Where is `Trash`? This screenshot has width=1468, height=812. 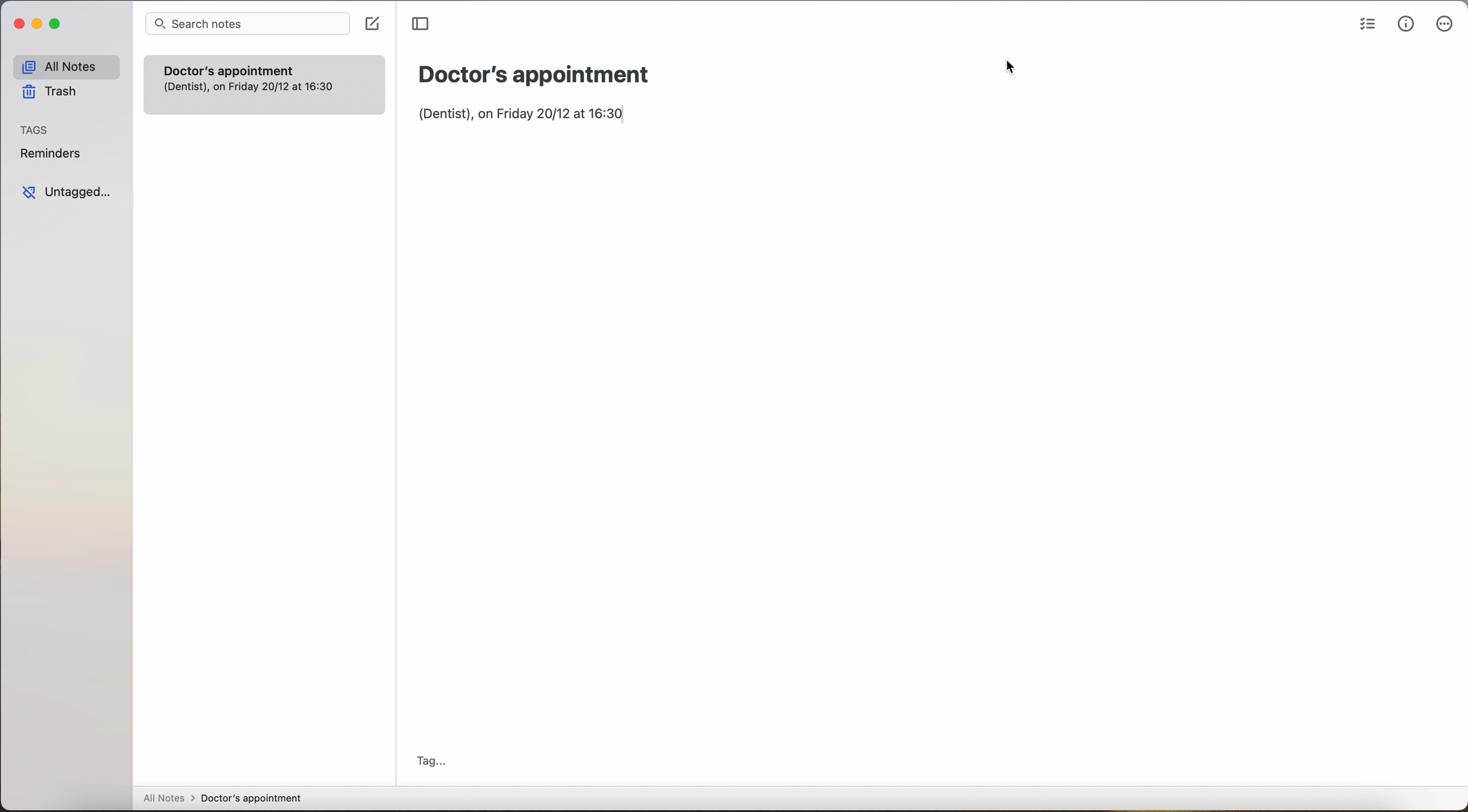 Trash is located at coordinates (58, 92).